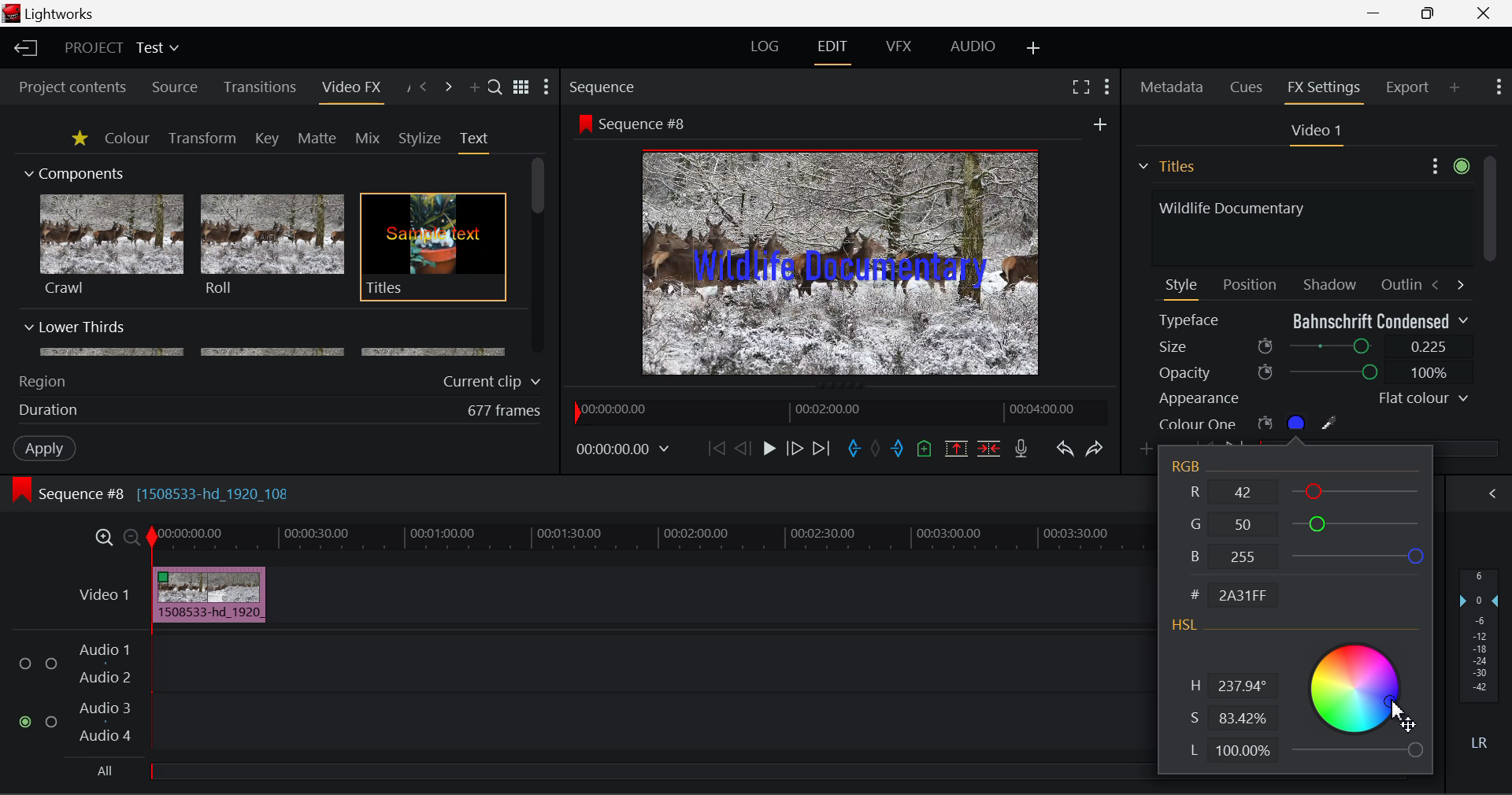  Describe the element at coordinates (54, 723) in the screenshot. I see `checkbox` at that location.